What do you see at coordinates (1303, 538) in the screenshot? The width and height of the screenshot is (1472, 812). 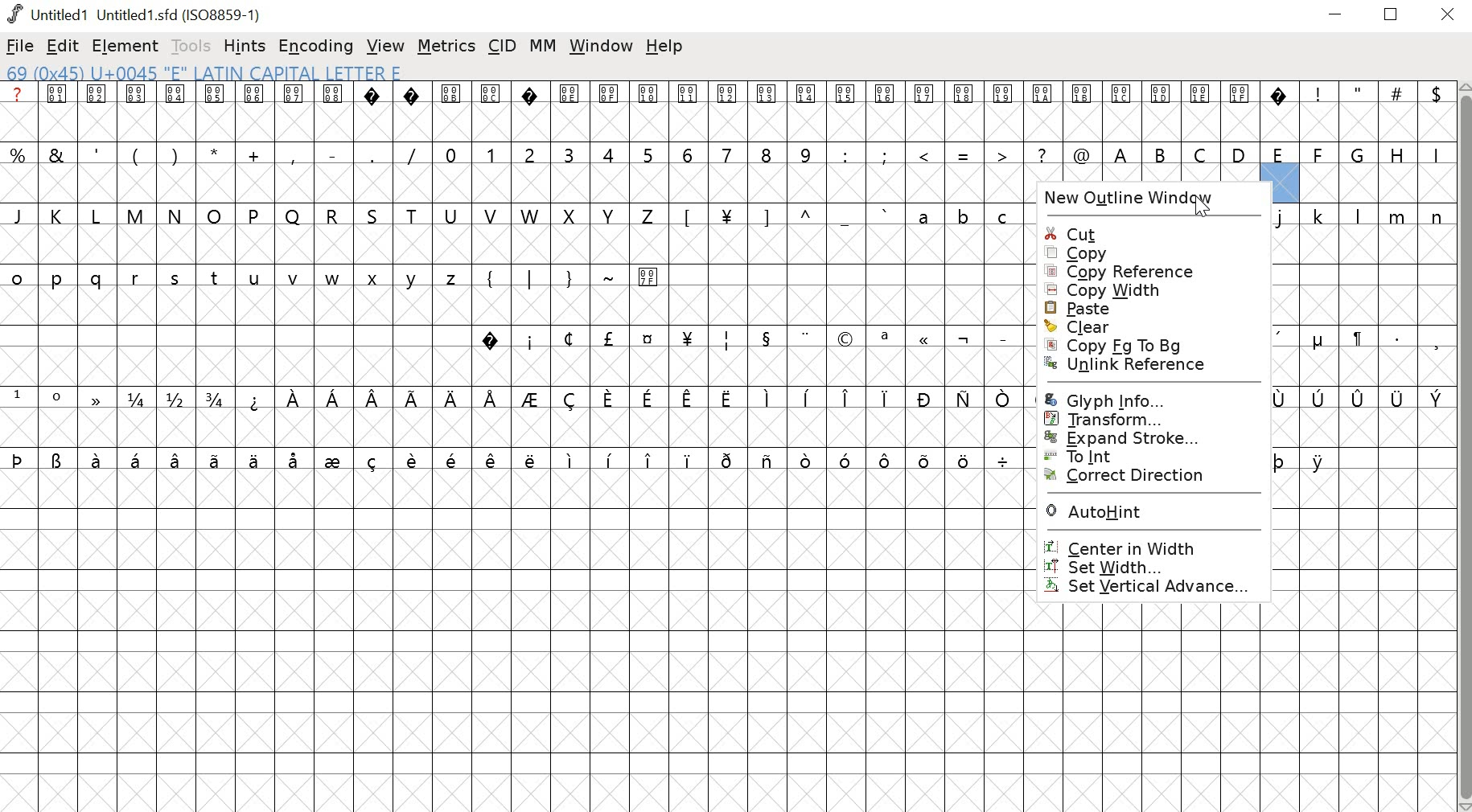 I see `empty cells` at bounding box center [1303, 538].